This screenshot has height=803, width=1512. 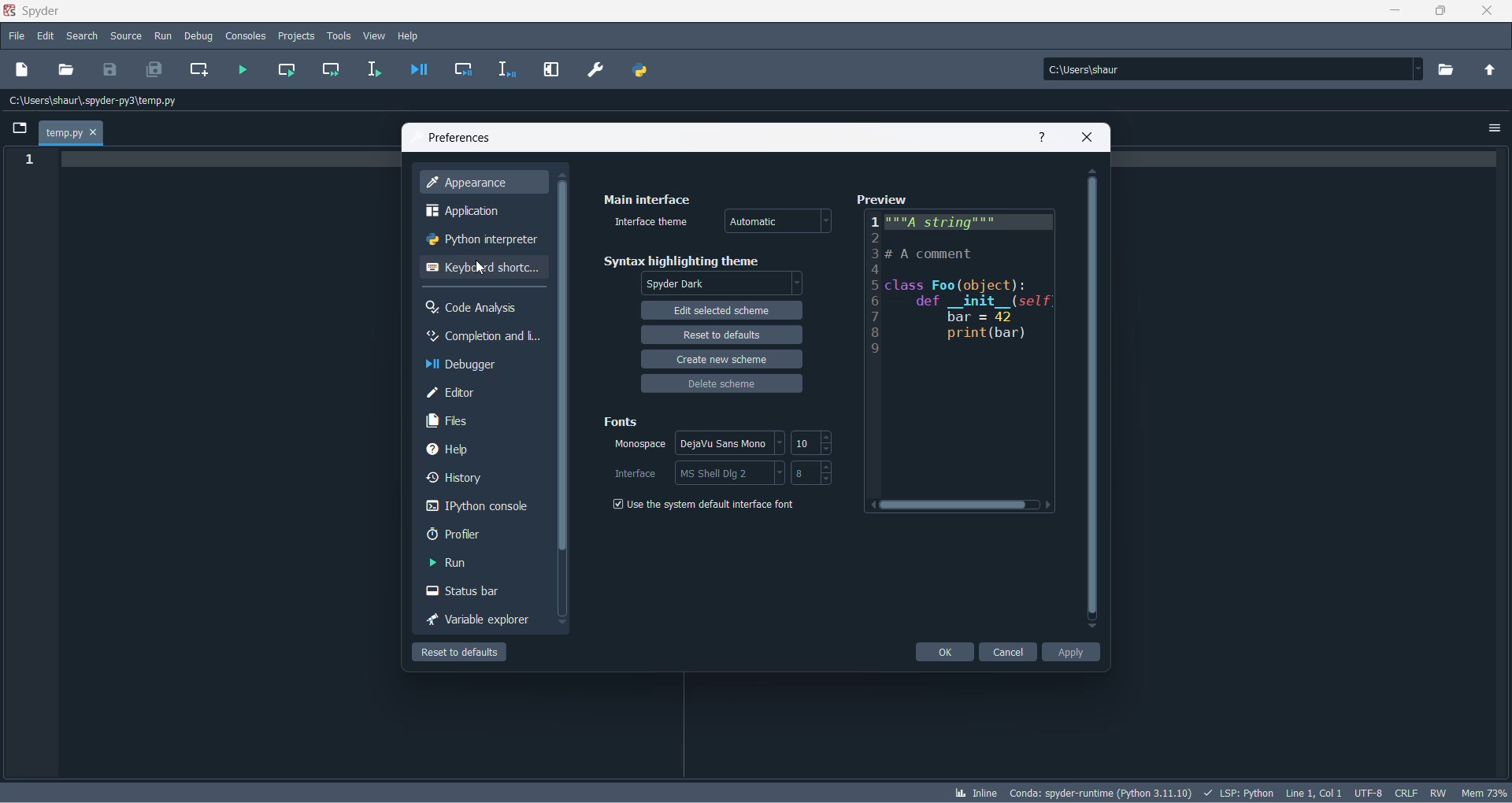 What do you see at coordinates (1314, 790) in the screenshot?
I see `line and column number` at bounding box center [1314, 790].